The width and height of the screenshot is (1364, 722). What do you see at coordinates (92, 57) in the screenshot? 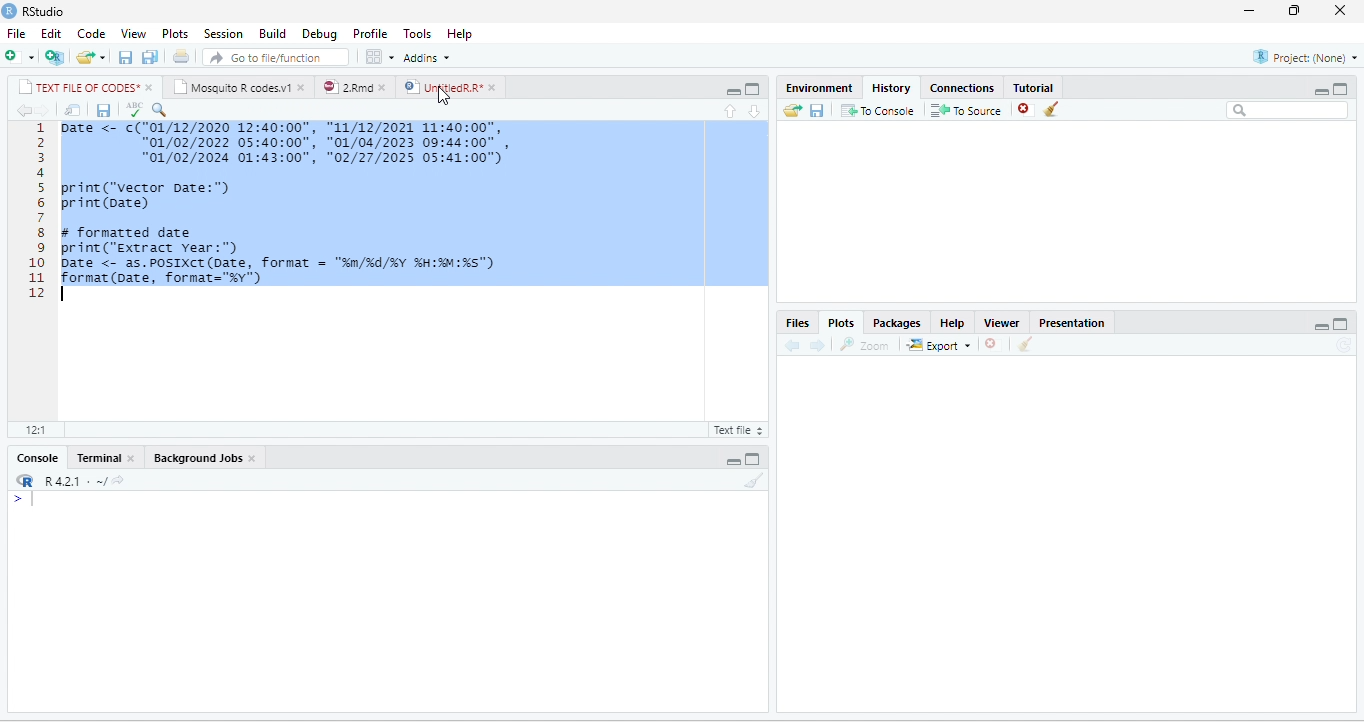
I see `open file` at bounding box center [92, 57].